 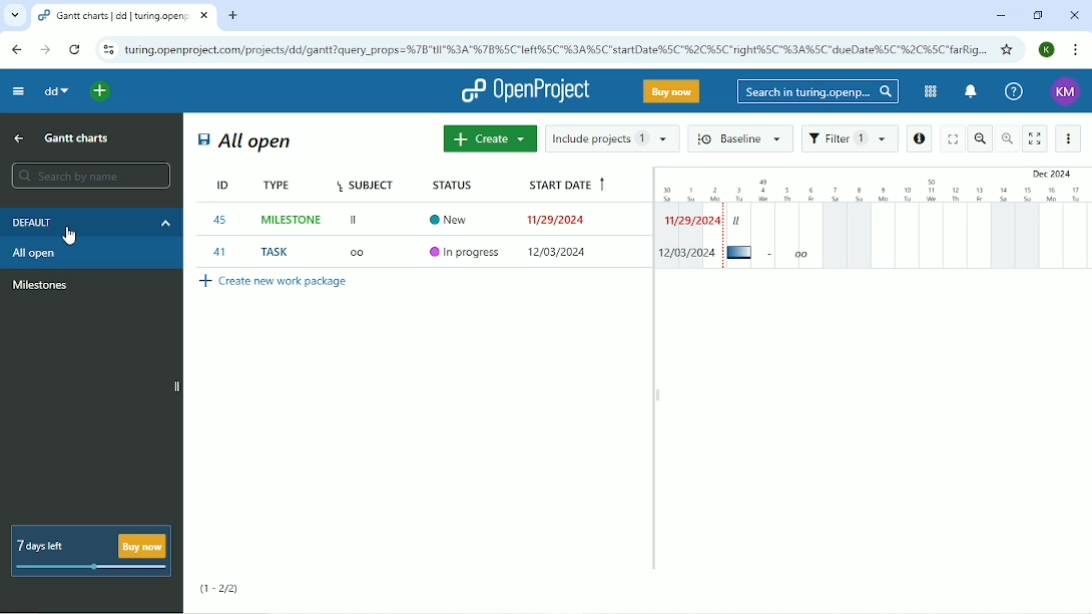 I want to click on Baseline, so click(x=742, y=138).